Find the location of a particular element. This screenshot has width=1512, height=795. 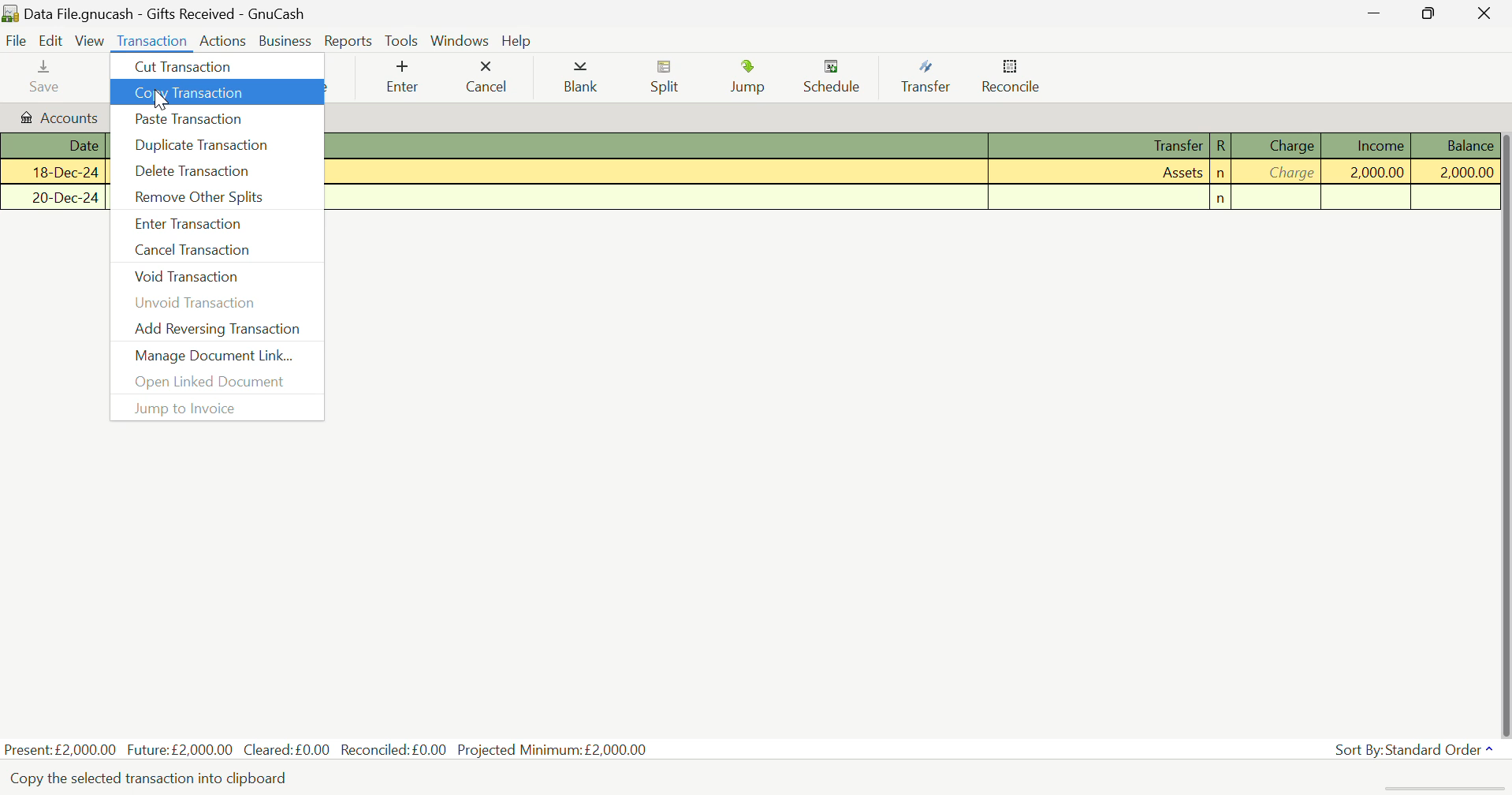

Windows is located at coordinates (460, 39).